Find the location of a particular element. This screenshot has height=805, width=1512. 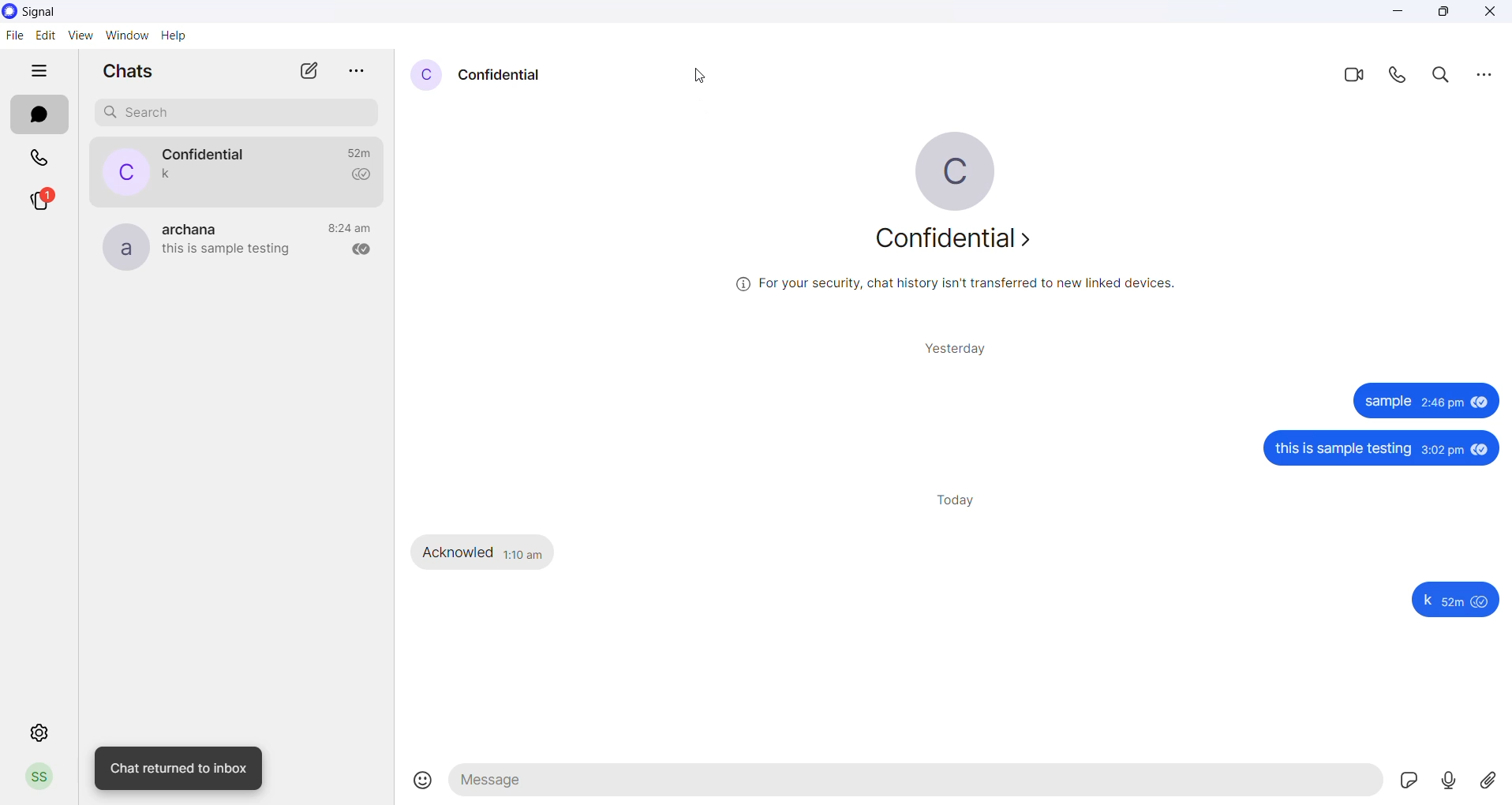

voice note is located at coordinates (1448, 781).